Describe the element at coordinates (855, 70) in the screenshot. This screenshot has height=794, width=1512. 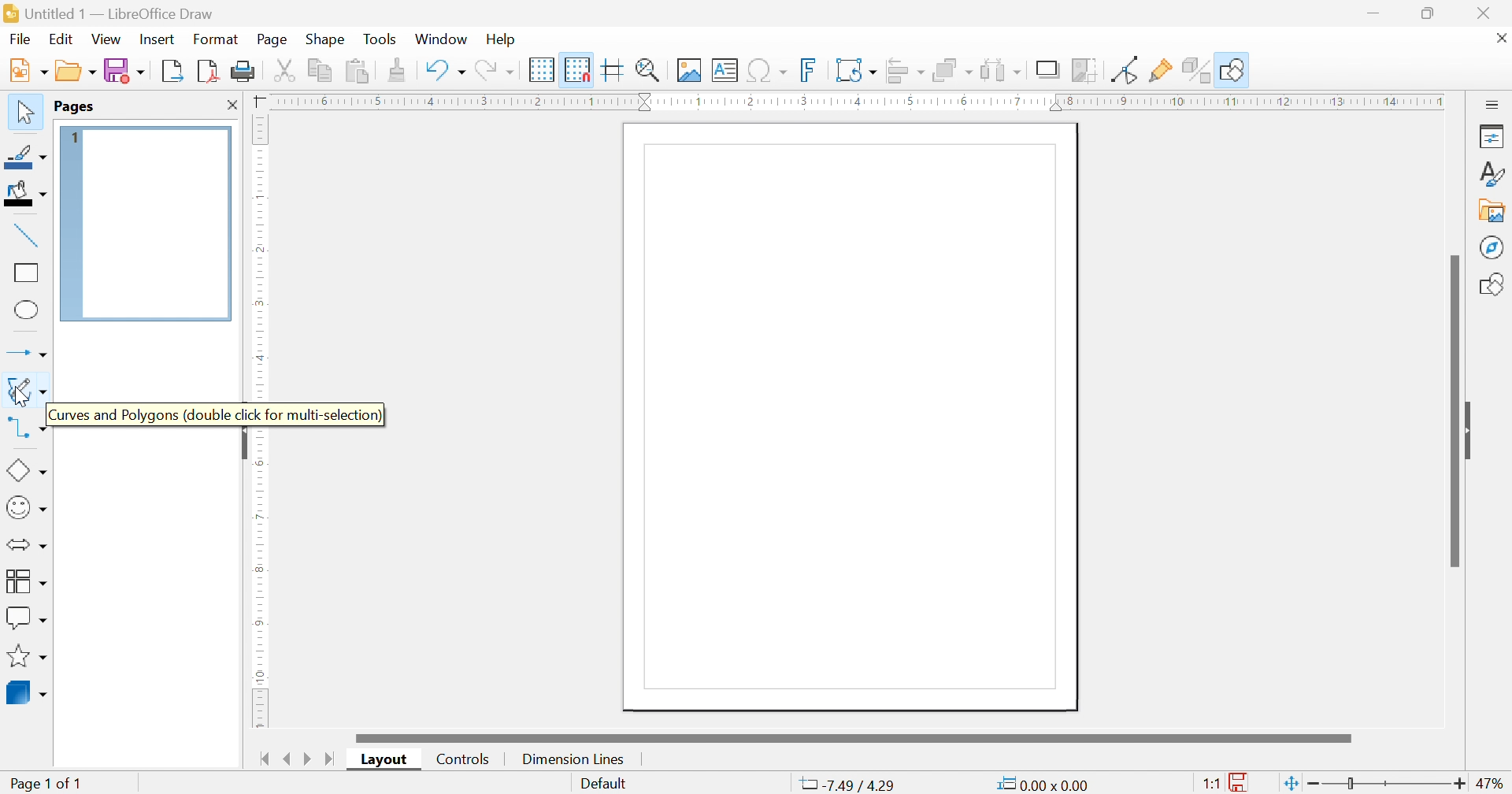
I see `transformation` at that location.